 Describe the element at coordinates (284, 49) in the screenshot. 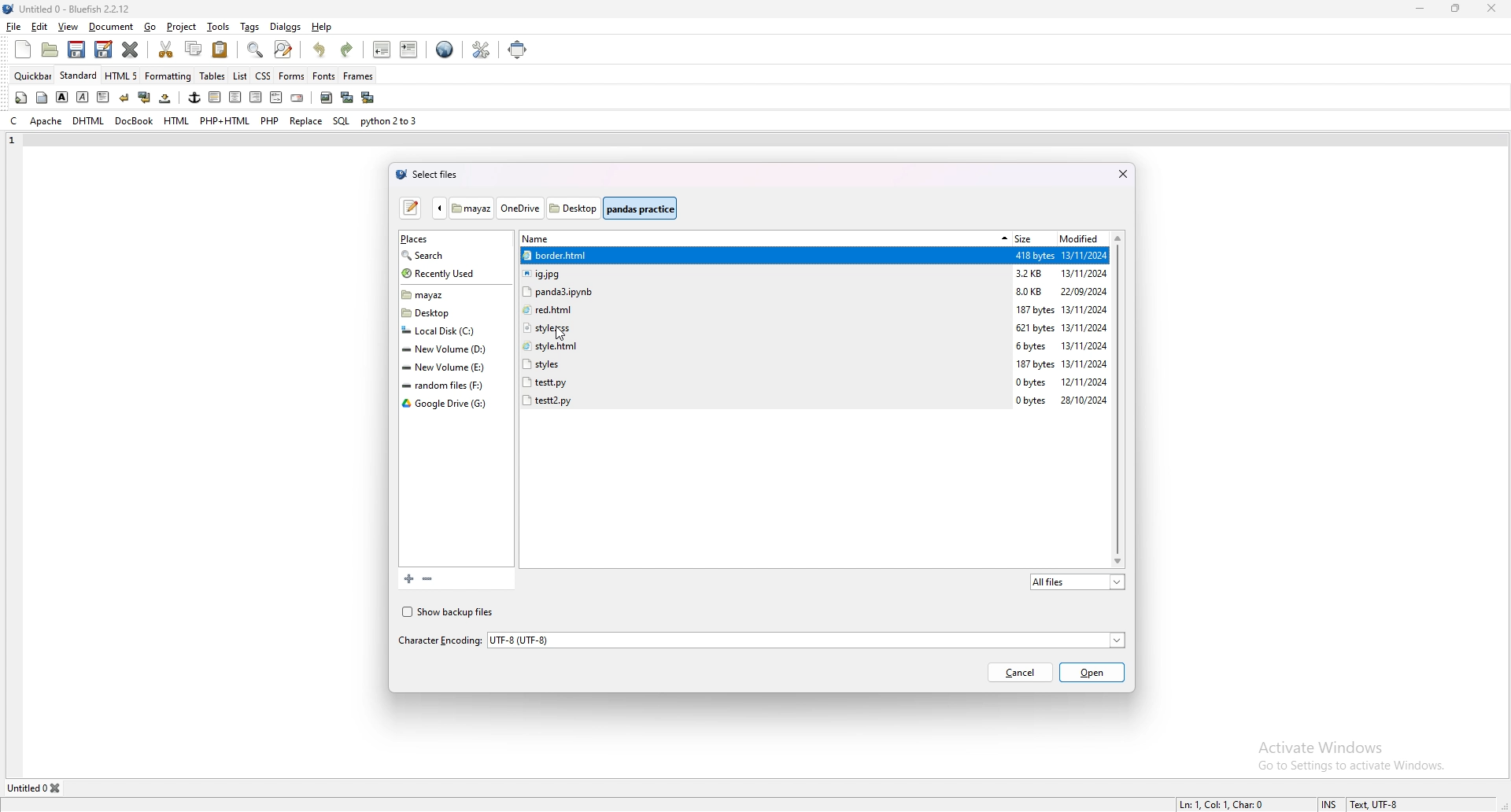

I see `advanced find and replace` at that location.